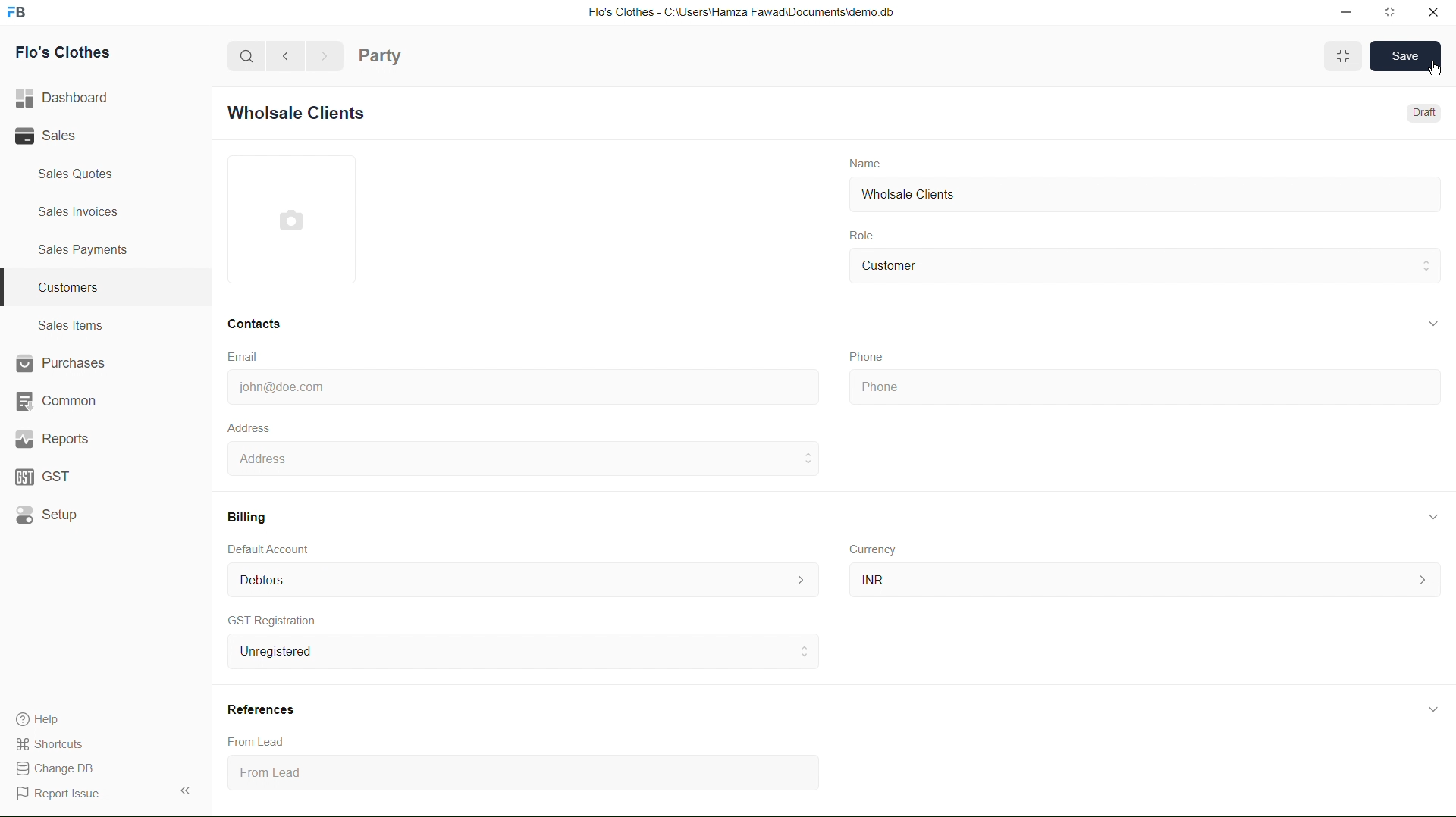  Describe the element at coordinates (307, 116) in the screenshot. I see `WHOLESALE CLIENTS` at that location.